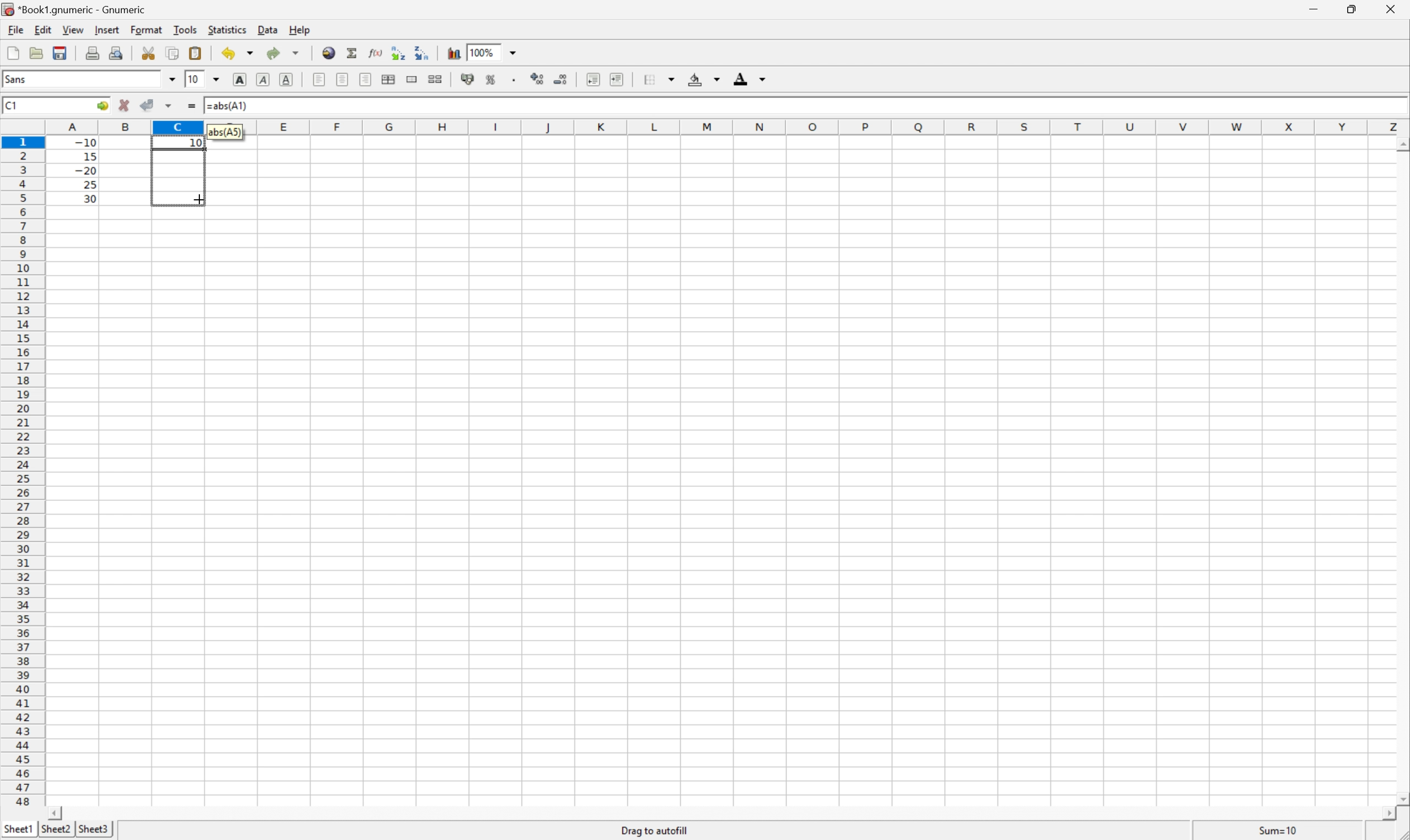 This screenshot has width=1410, height=840. I want to click on align right, so click(366, 81).